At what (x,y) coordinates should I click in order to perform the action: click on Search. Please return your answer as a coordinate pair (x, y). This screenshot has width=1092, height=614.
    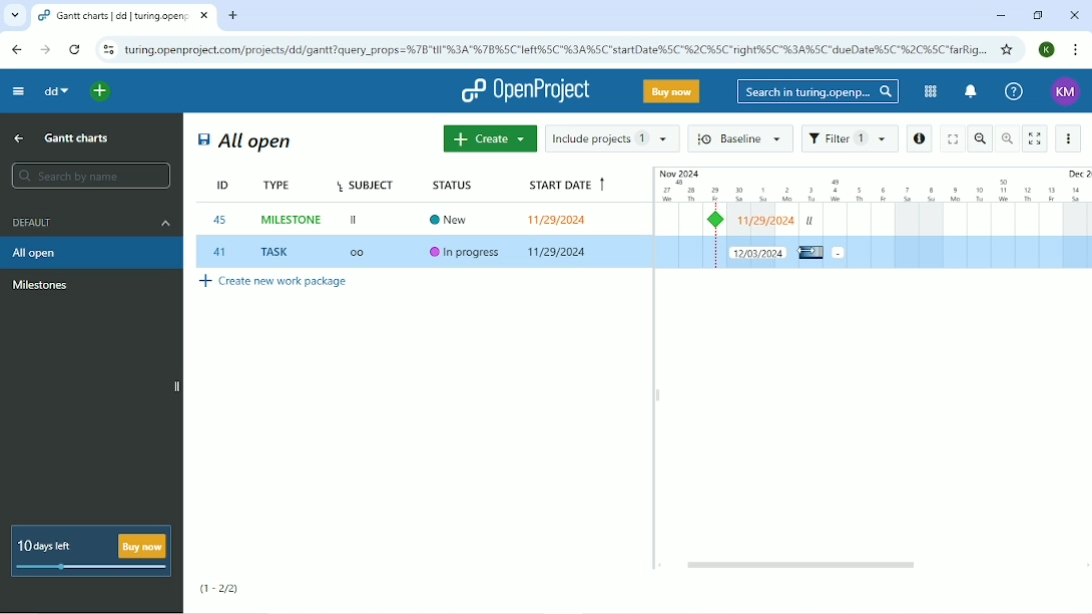
    Looking at the image, I should click on (817, 92).